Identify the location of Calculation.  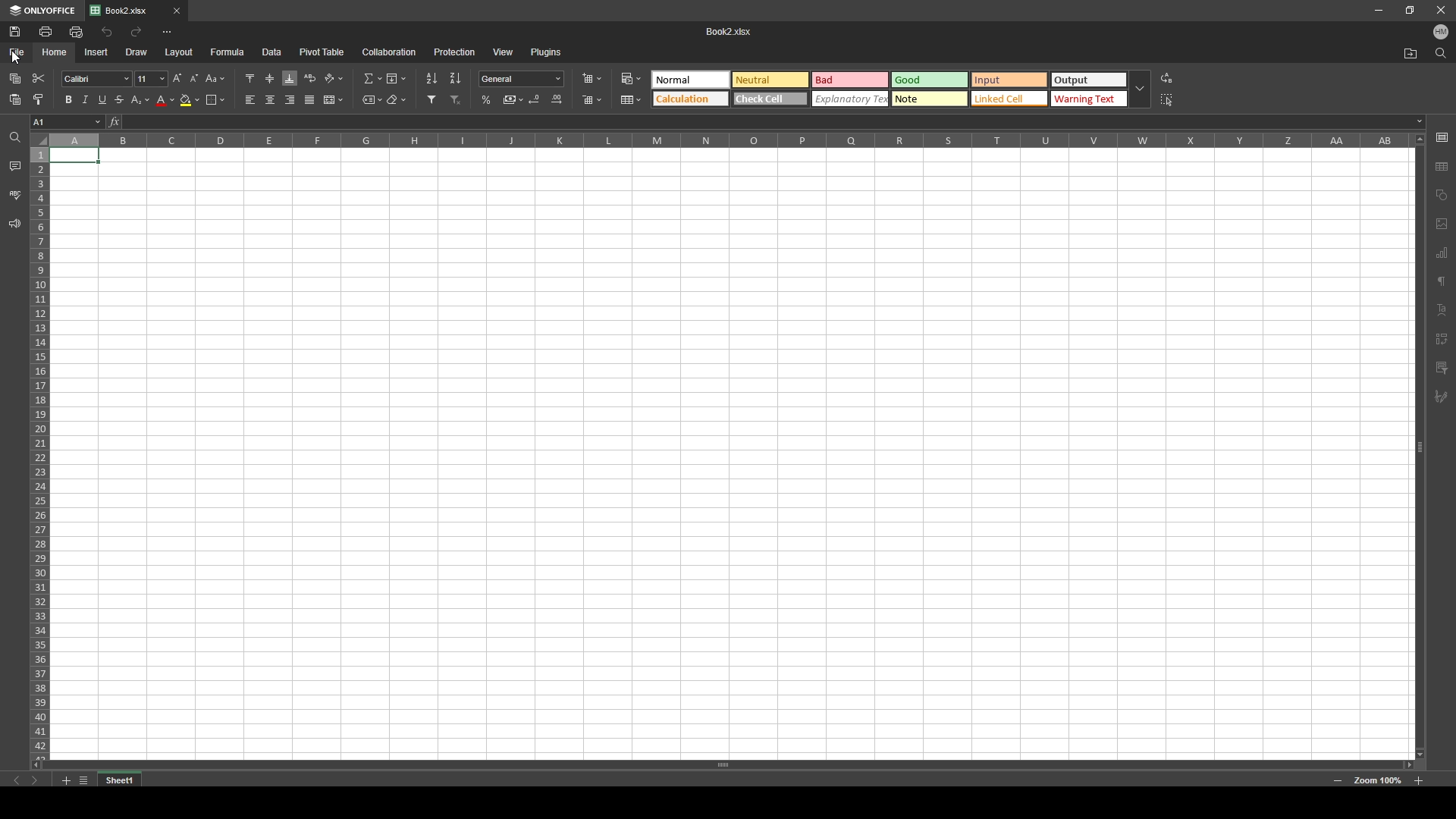
(691, 99).